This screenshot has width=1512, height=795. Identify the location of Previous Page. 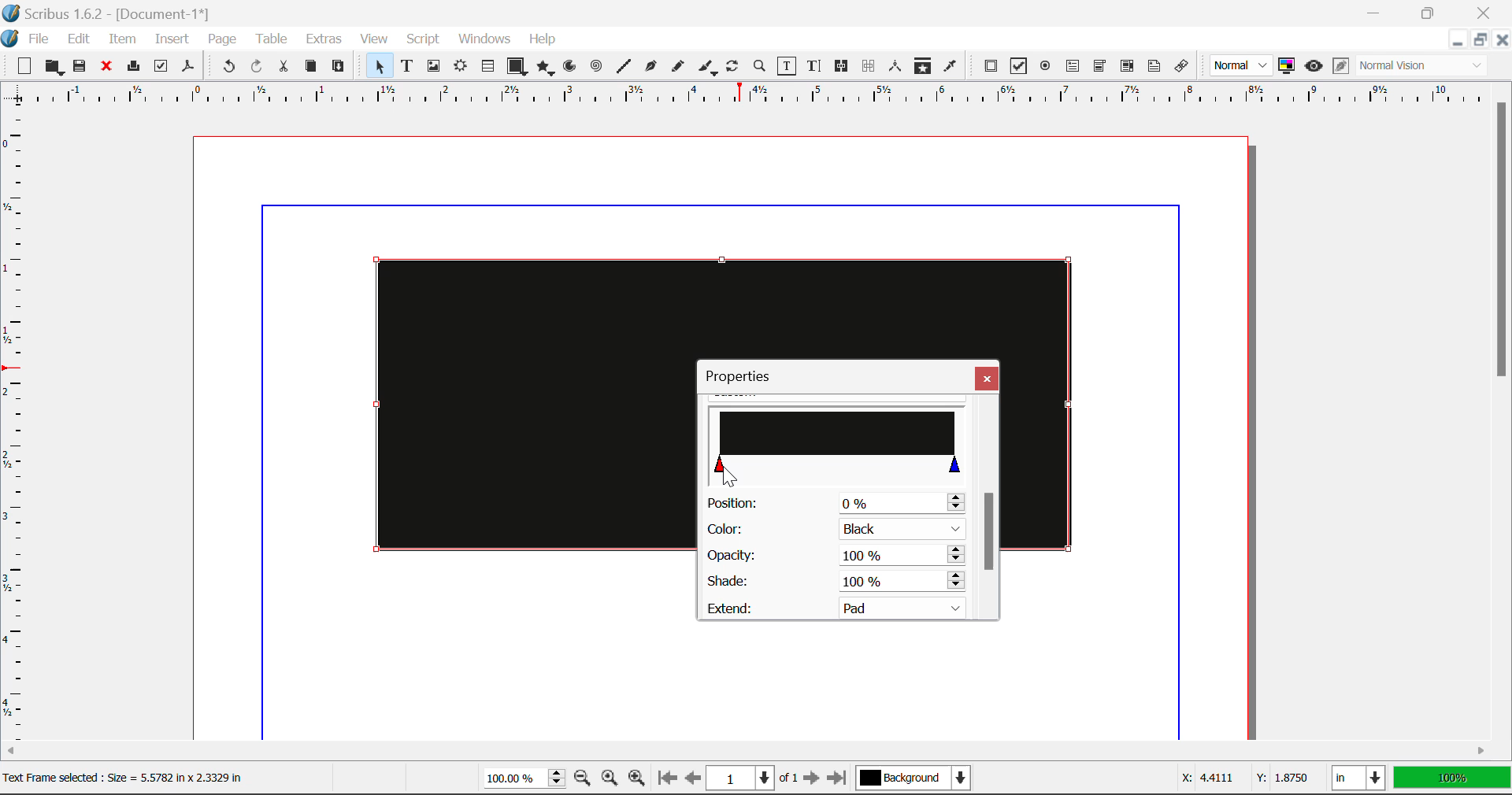
(693, 780).